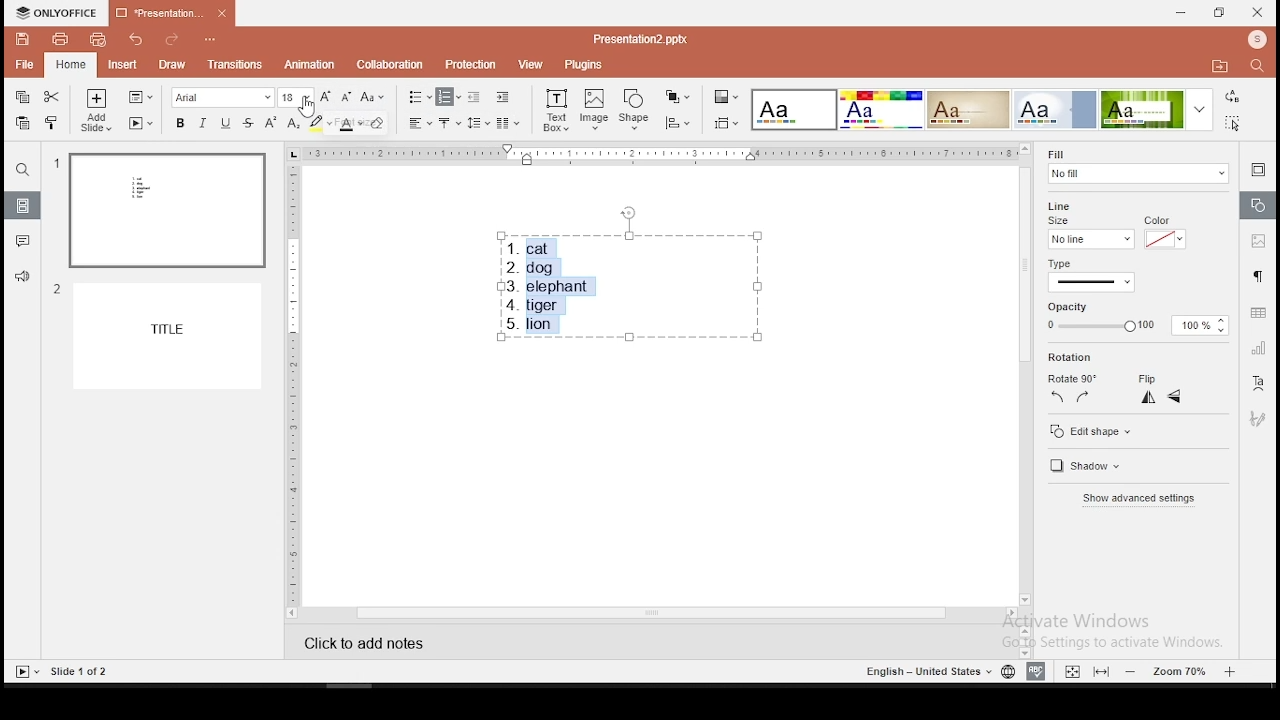  I want to click on replace, so click(1232, 97).